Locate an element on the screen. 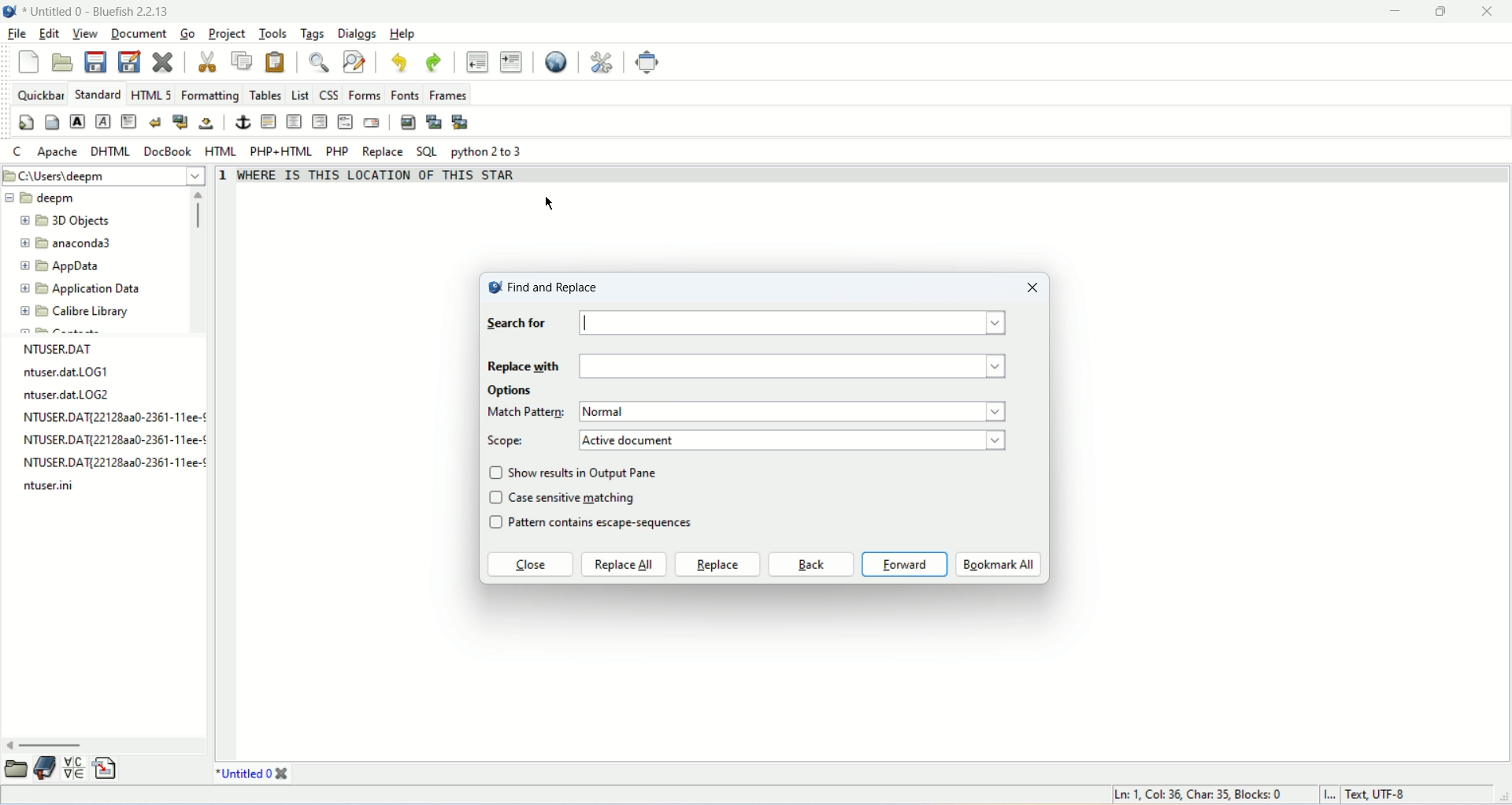 This screenshot has height=805, width=1512. WHERE IS THE LOCATION OF THIS STAR is located at coordinates (384, 175).